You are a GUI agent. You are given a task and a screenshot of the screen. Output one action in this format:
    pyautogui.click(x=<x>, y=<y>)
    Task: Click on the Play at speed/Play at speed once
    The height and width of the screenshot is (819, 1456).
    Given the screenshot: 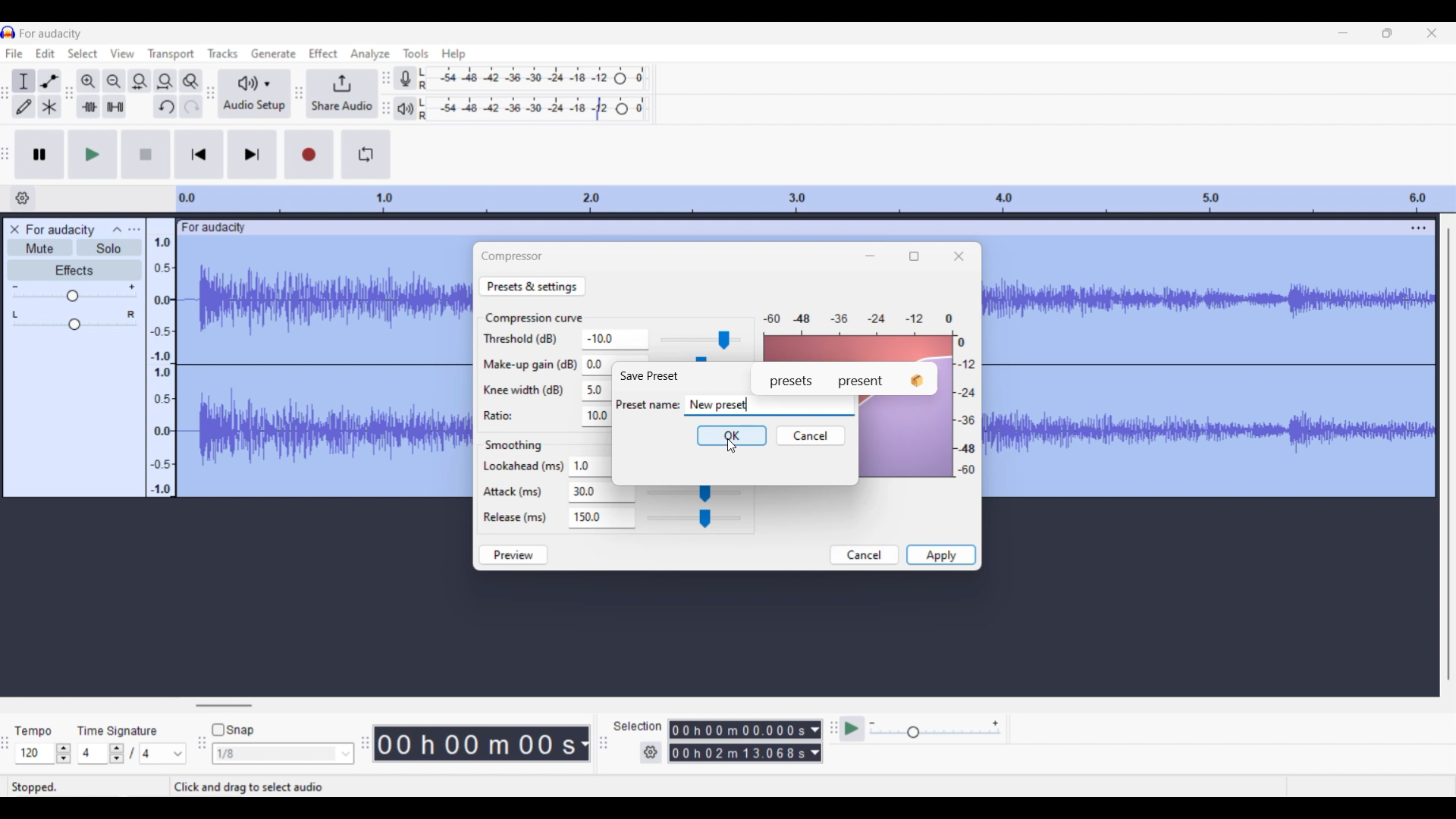 What is the action you would take?
    pyautogui.click(x=852, y=729)
    